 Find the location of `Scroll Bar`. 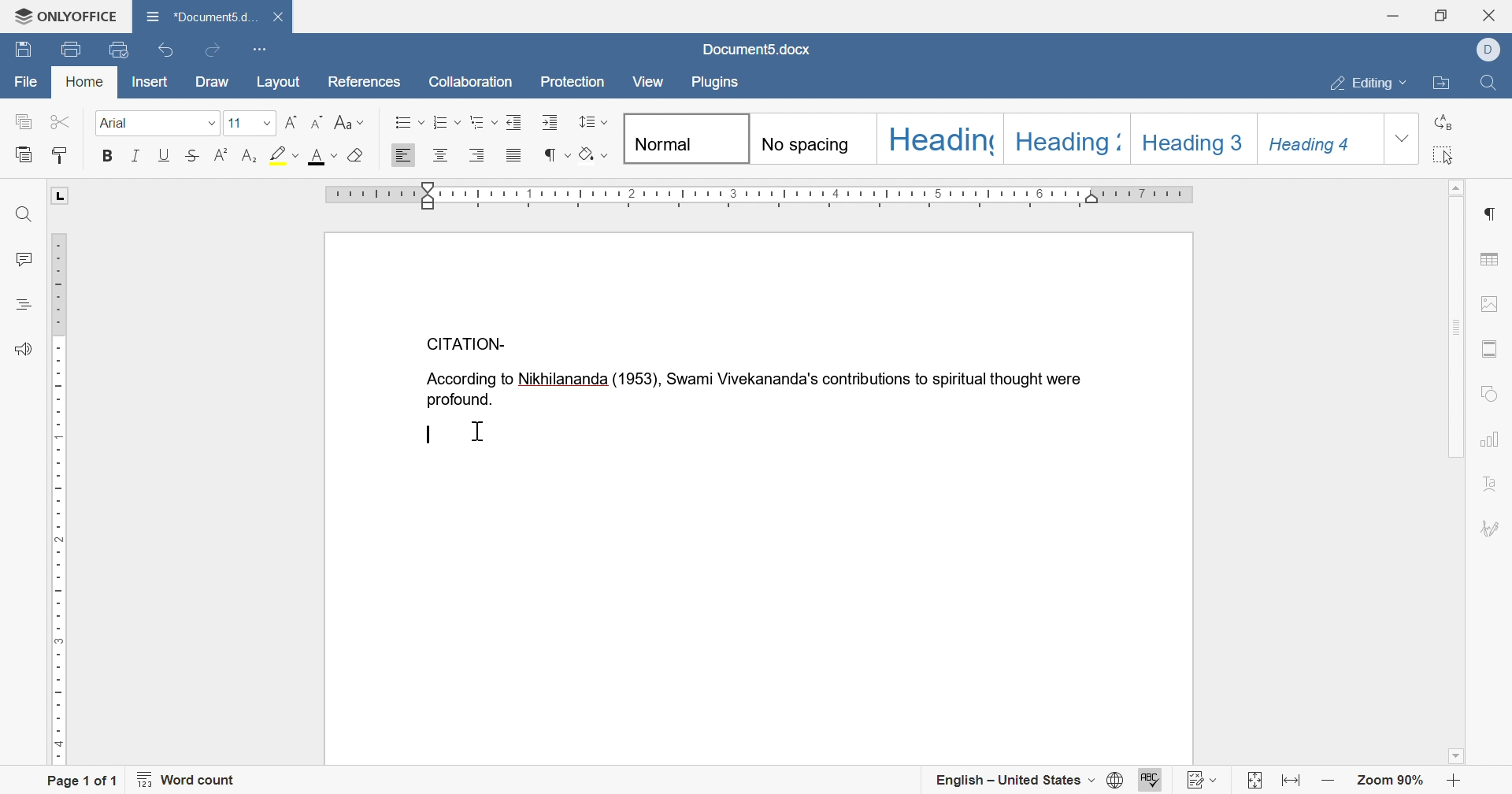

Scroll Bar is located at coordinates (1455, 472).